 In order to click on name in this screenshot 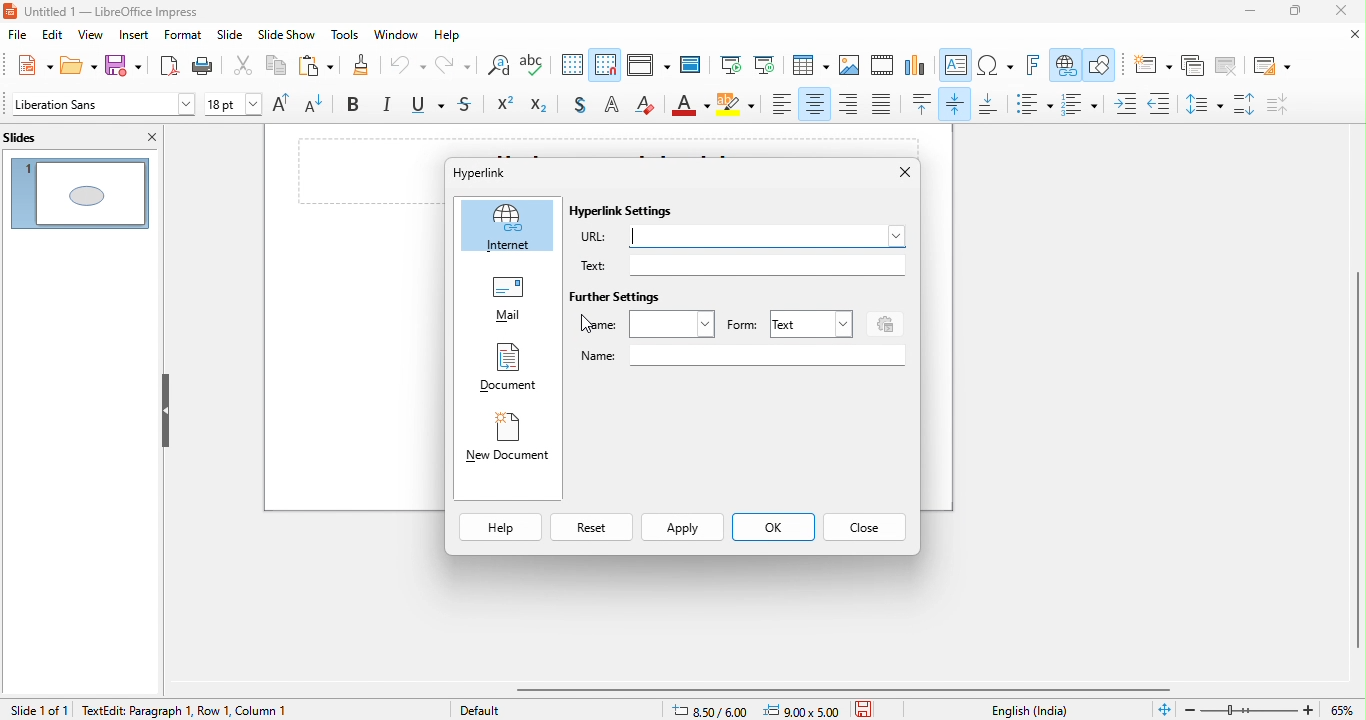, I will do `click(742, 356)`.